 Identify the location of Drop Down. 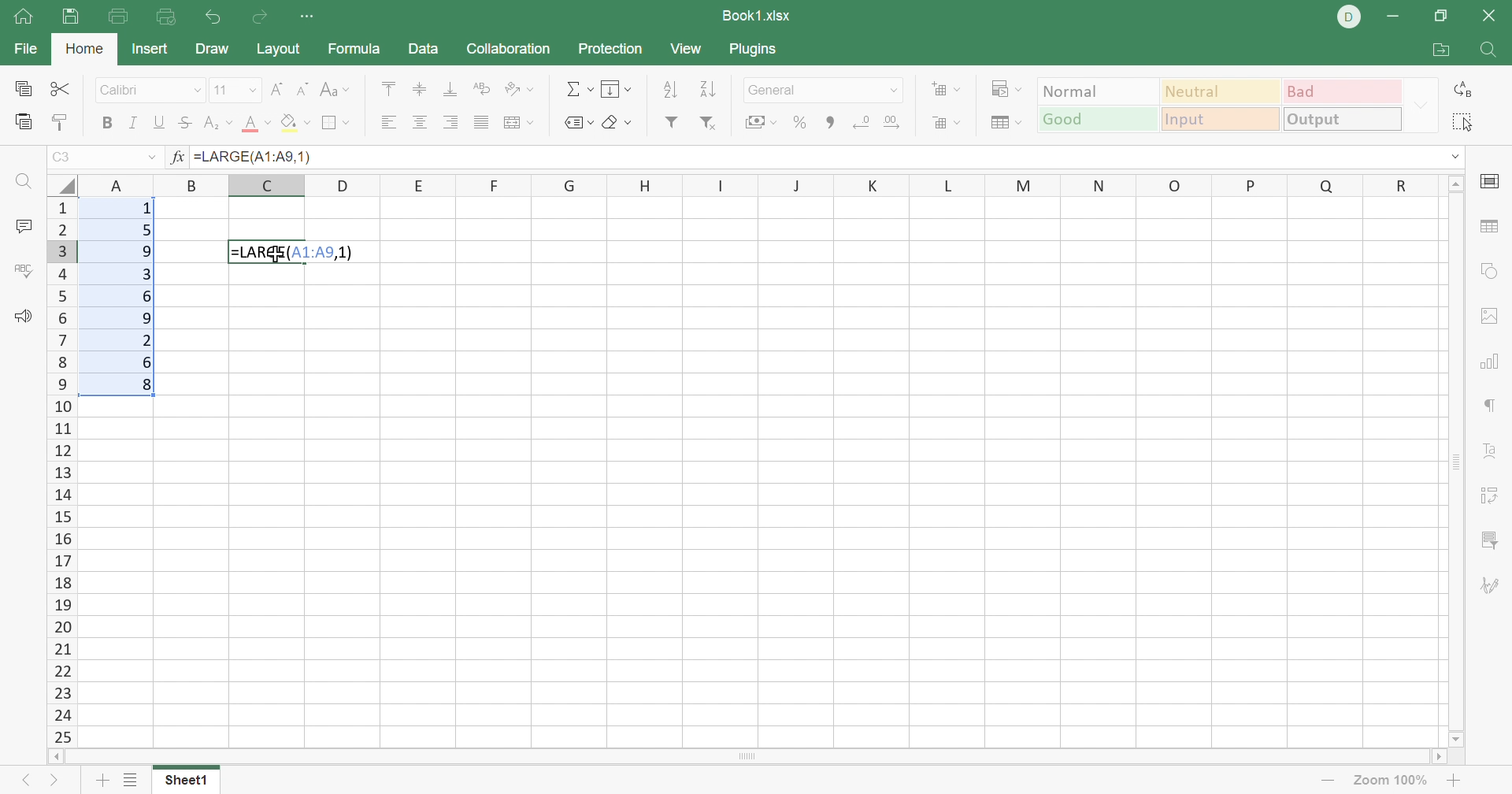
(254, 91).